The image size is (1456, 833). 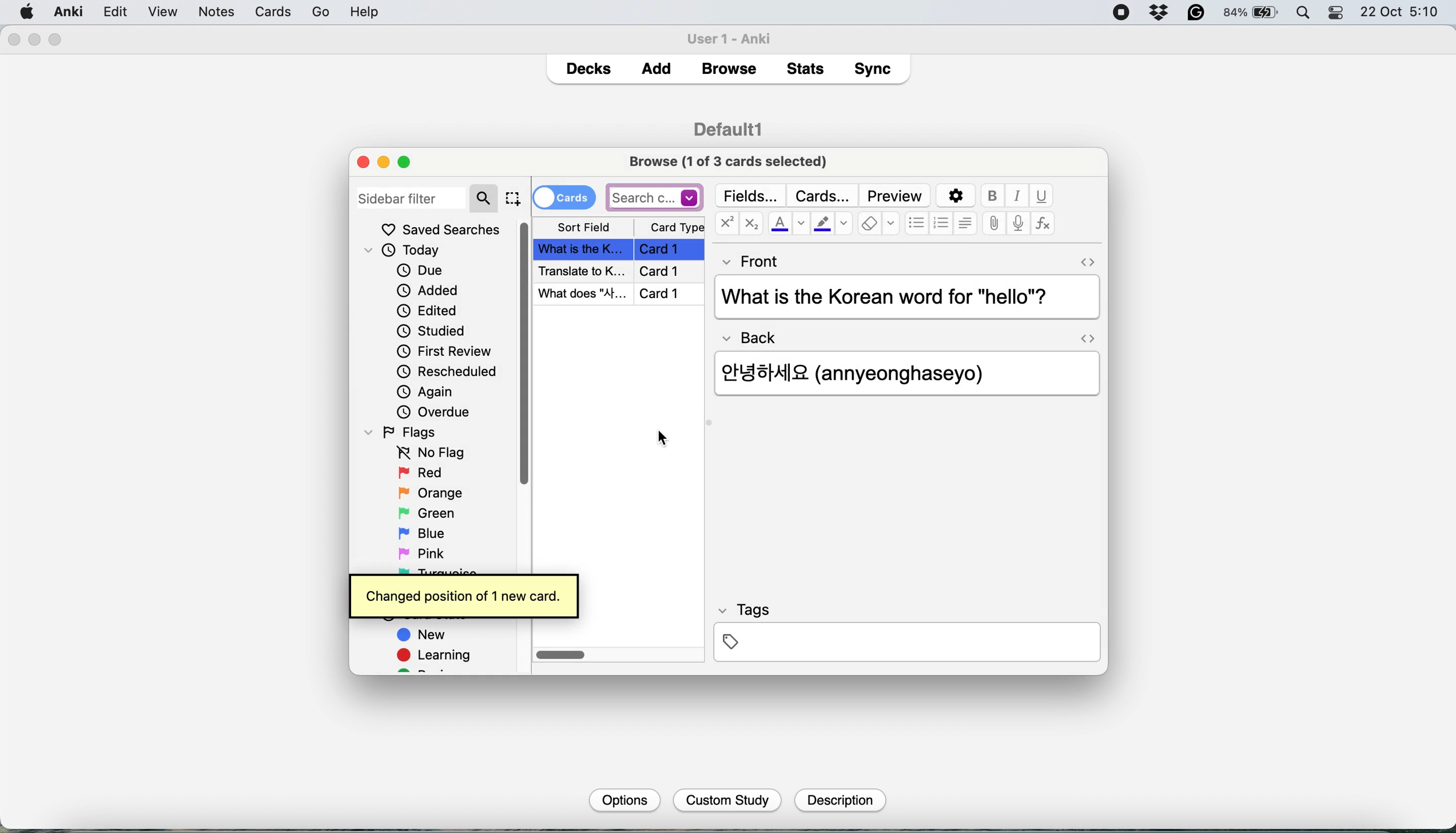 I want to click on green, so click(x=435, y=512).